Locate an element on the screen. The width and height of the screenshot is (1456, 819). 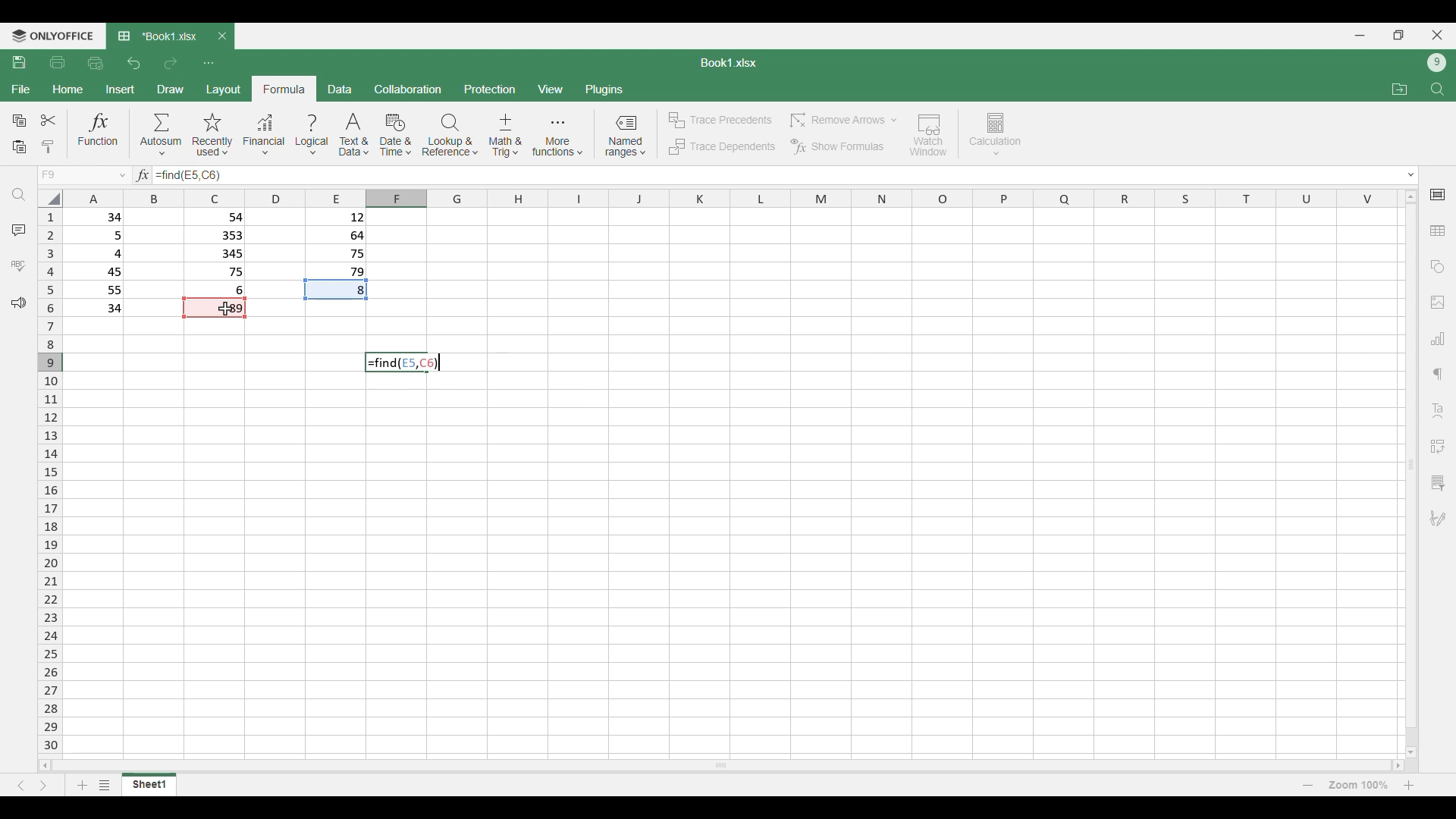
Insert menu is located at coordinates (120, 89).